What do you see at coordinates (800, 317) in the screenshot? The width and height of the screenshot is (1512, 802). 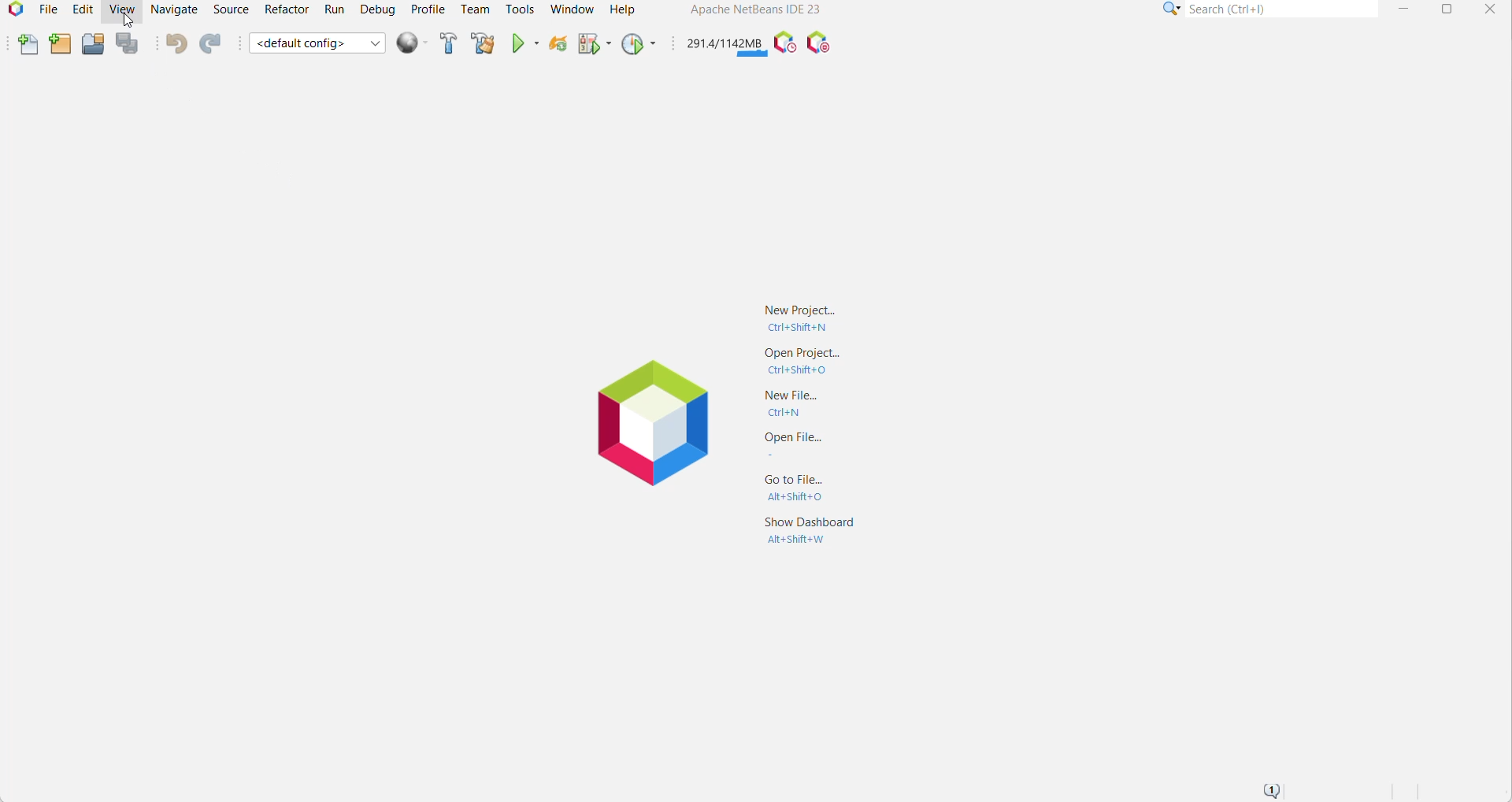 I see `New Project` at bounding box center [800, 317].